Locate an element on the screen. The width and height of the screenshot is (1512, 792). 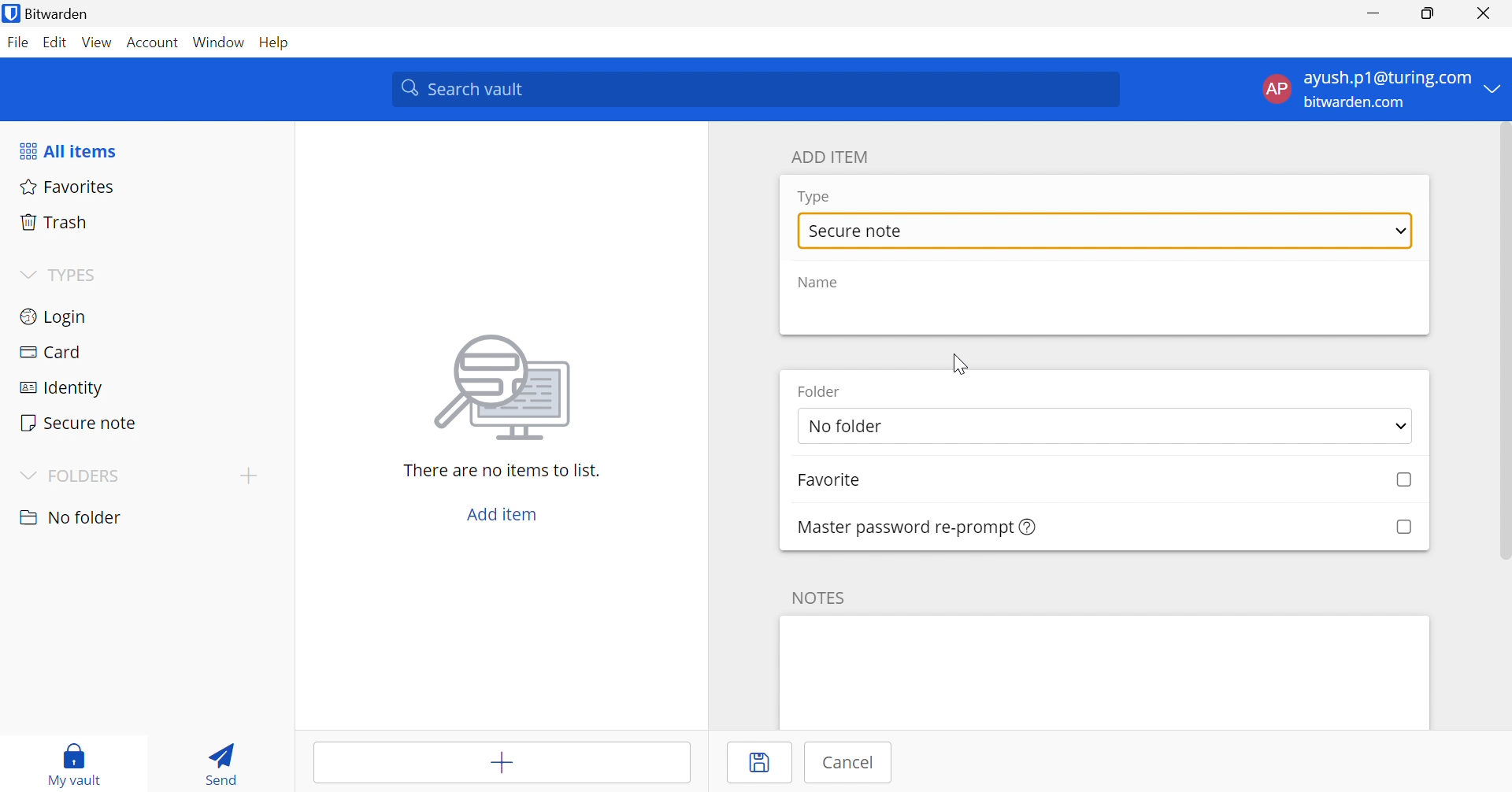
Checkbox is located at coordinates (1402, 527).